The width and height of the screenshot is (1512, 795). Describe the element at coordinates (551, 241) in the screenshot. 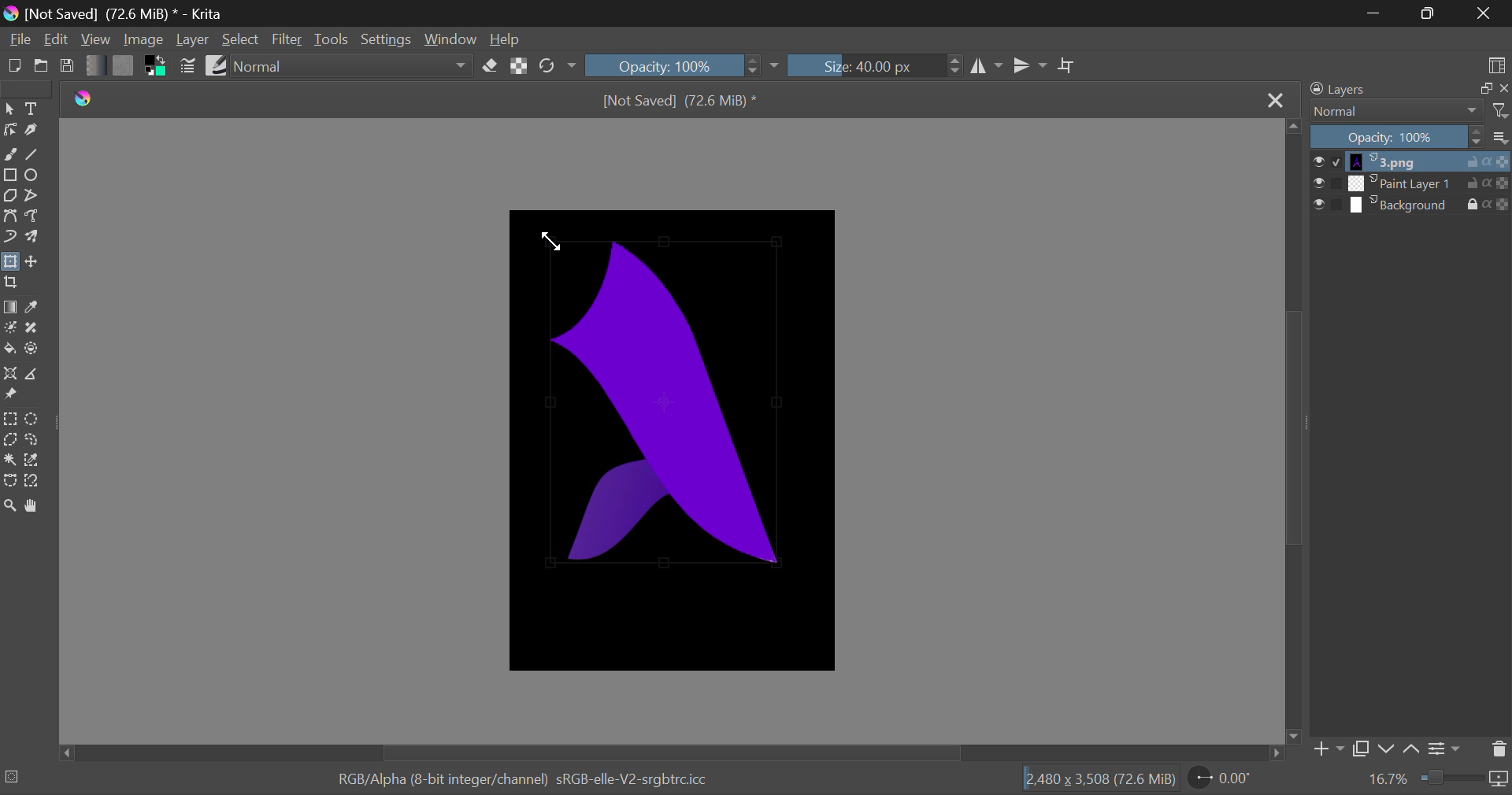

I see `DRAG_TO Cursor Position` at that location.